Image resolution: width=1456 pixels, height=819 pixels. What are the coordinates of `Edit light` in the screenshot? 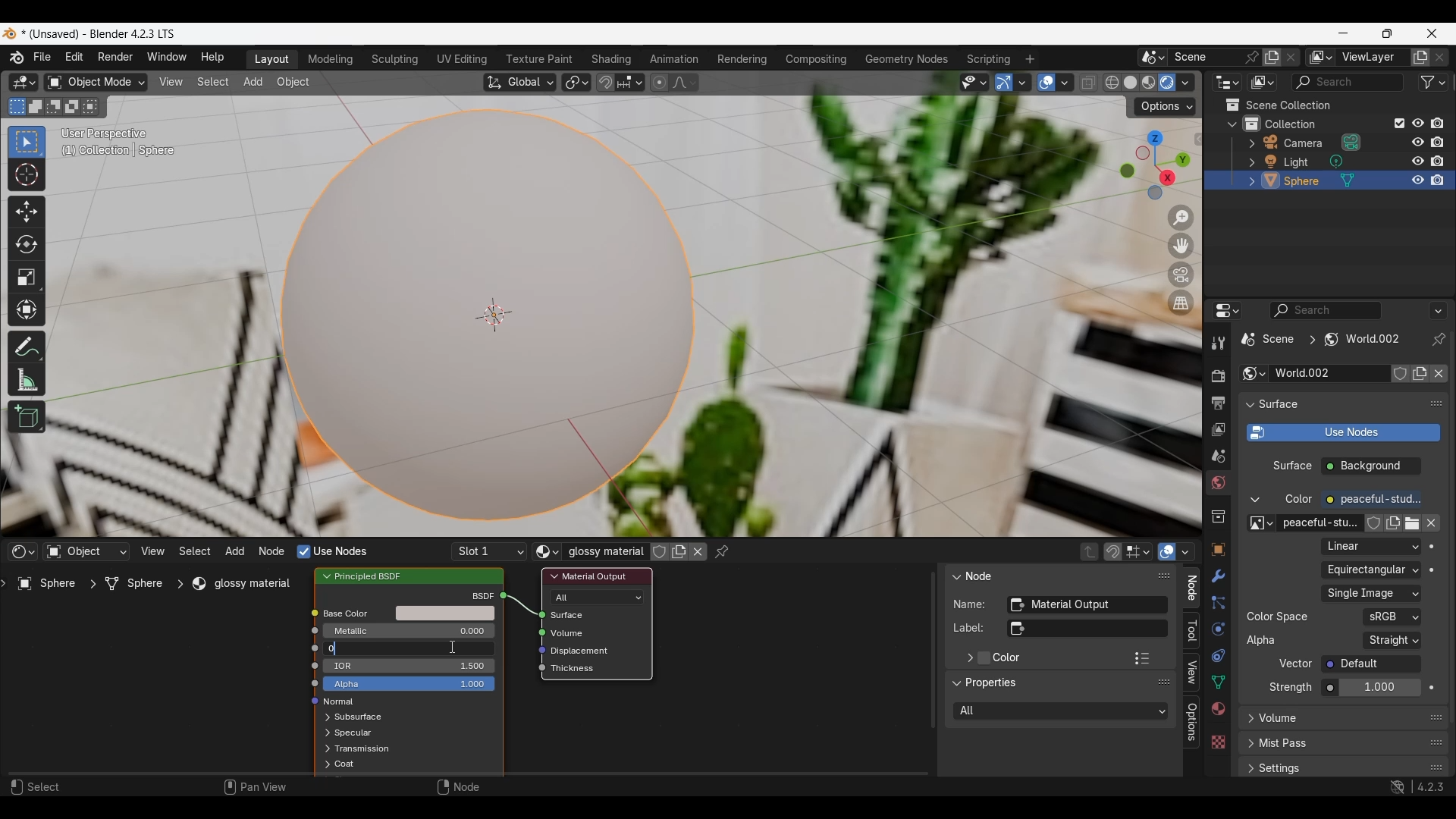 It's located at (1271, 161).